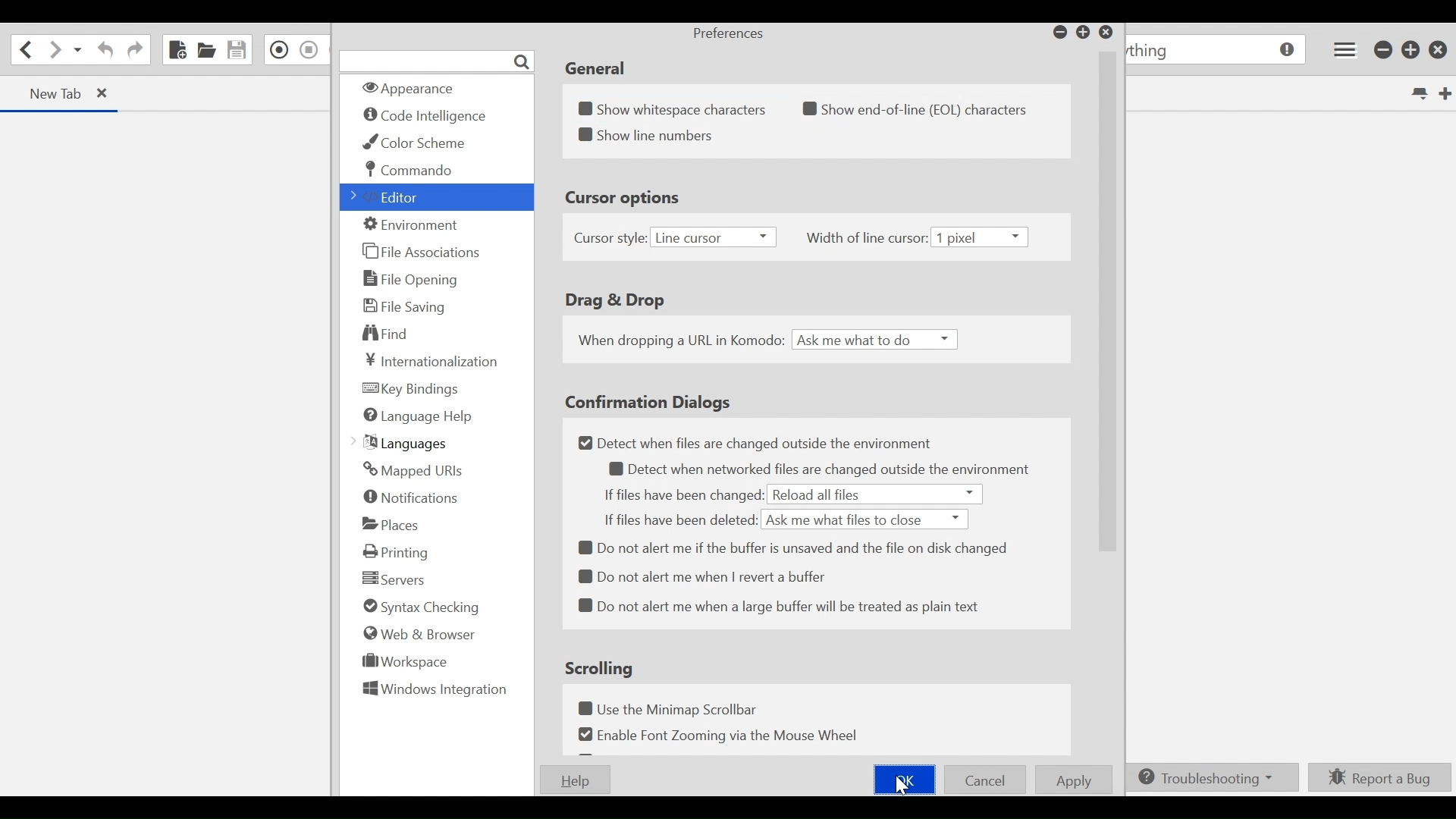  Describe the element at coordinates (716, 734) in the screenshot. I see `Enable Font Zooming via Mouse Wheel` at that location.